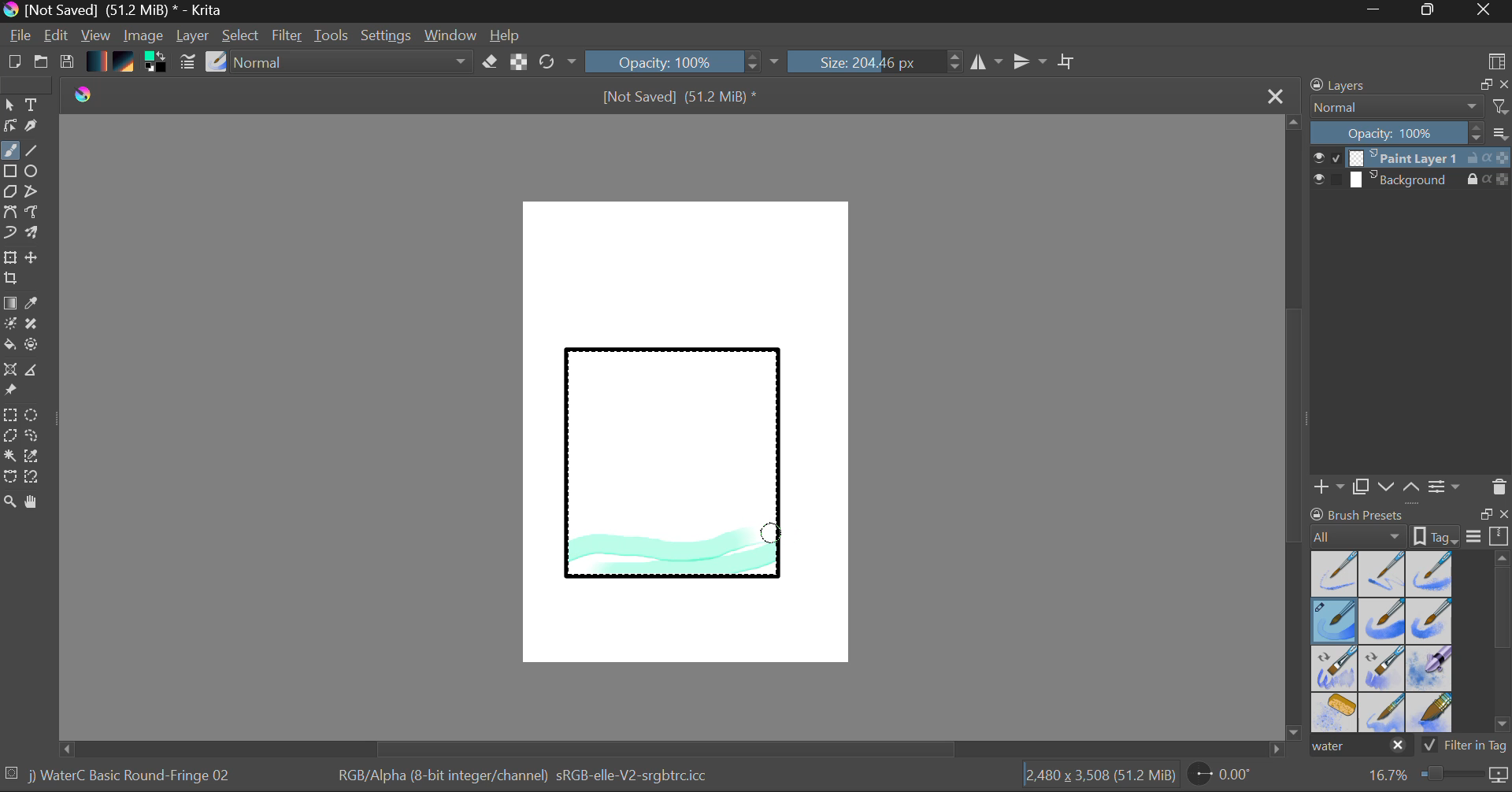  Describe the element at coordinates (11, 325) in the screenshot. I see `Colorize Mask Tool` at that location.